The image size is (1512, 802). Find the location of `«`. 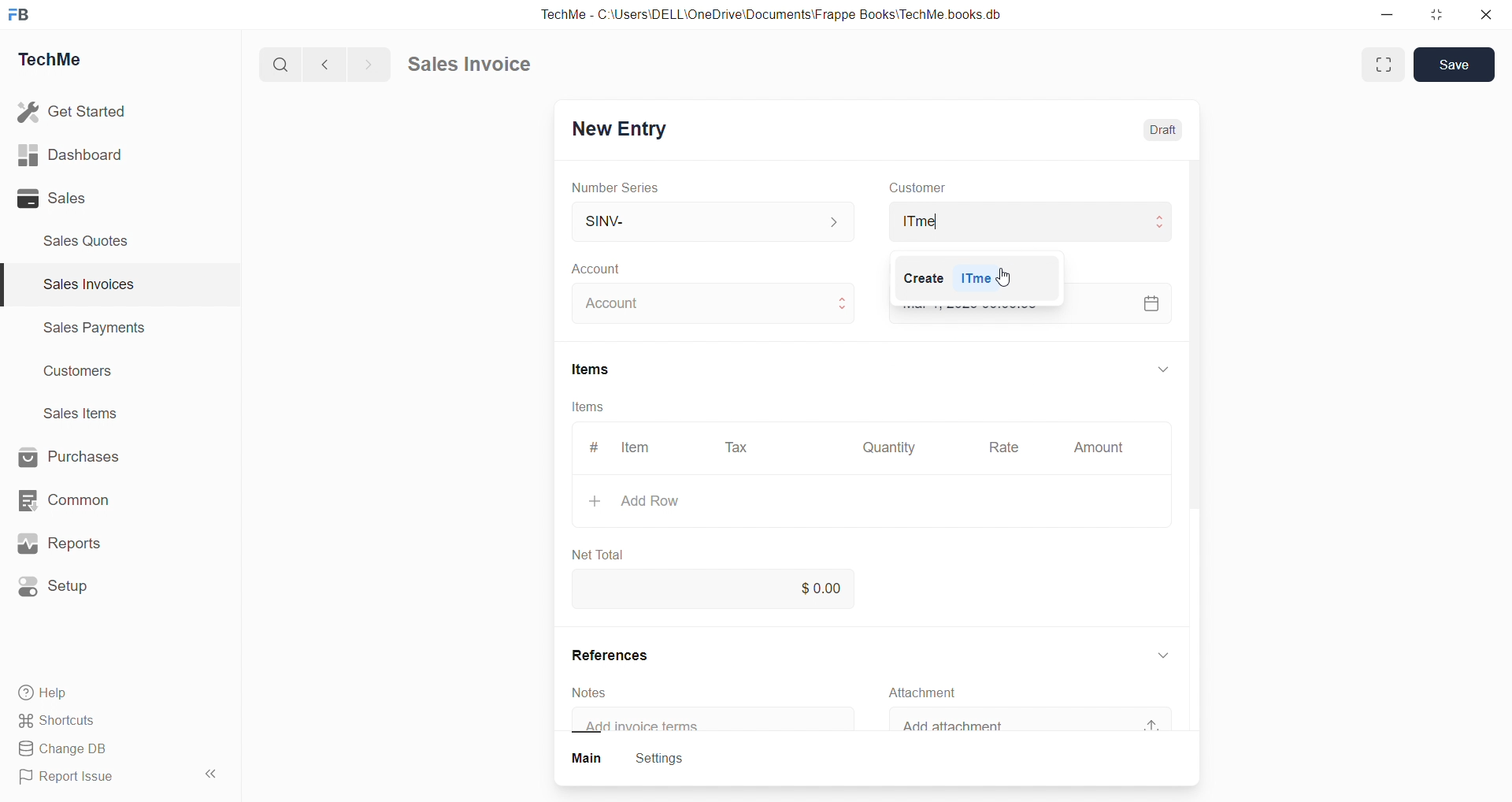

« is located at coordinates (212, 771).